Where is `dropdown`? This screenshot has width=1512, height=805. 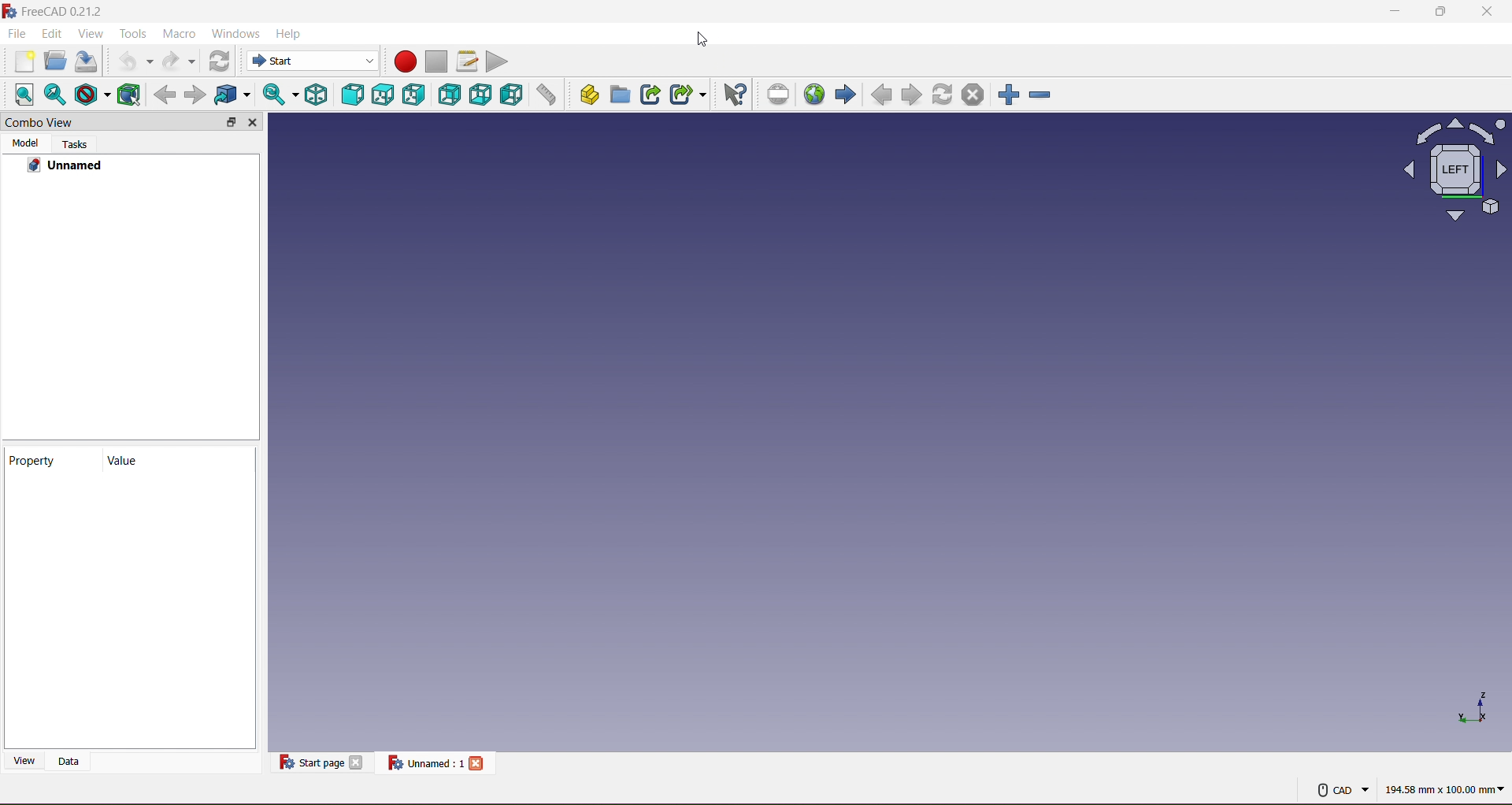
dropdown is located at coordinates (372, 61).